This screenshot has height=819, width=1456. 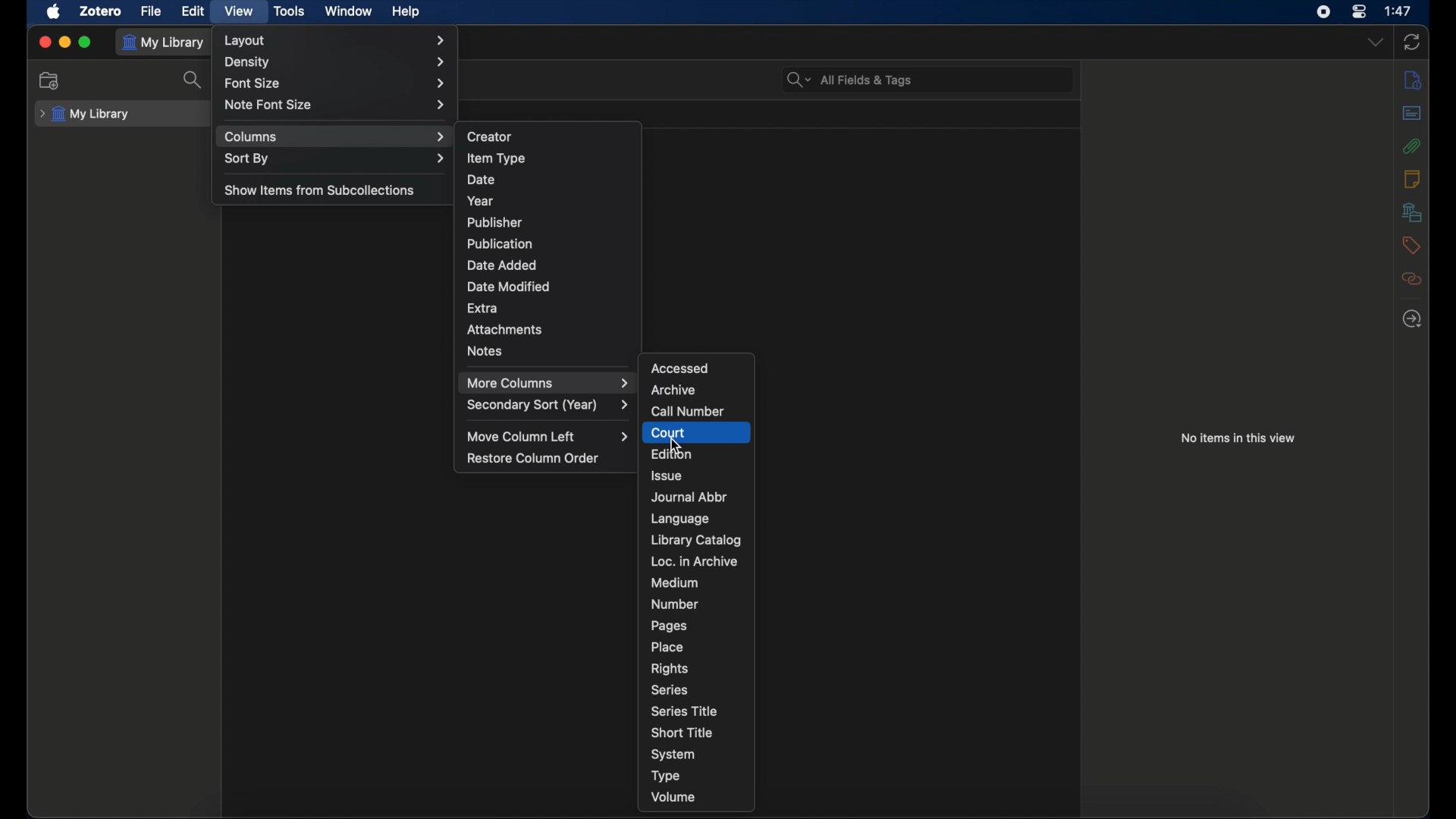 I want to click on tags, so click(x=1410, y=244).